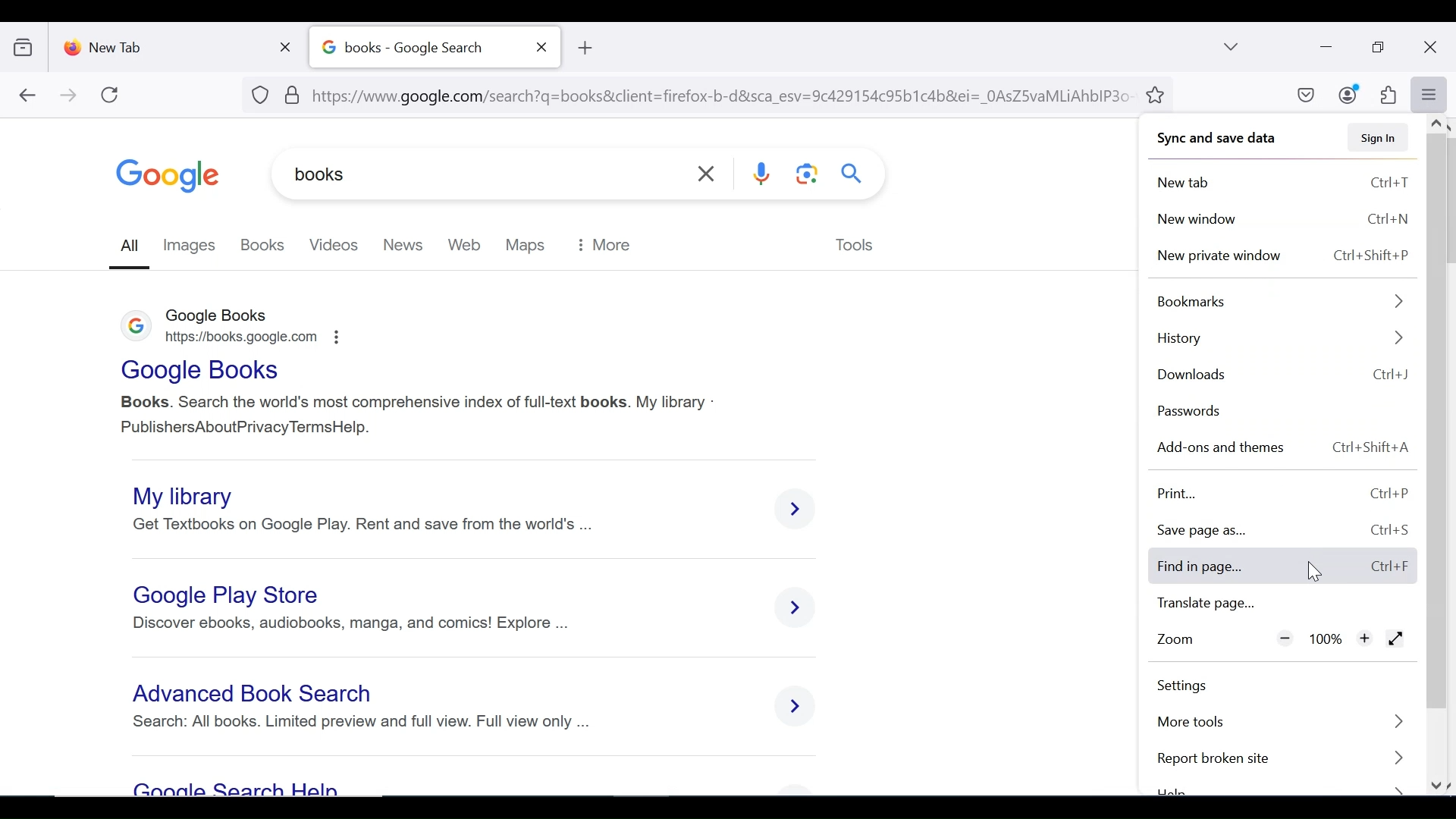 Image resolution: width=1456 pixels, height=819 pixels. I want to click on new window, so click(1284, 220).